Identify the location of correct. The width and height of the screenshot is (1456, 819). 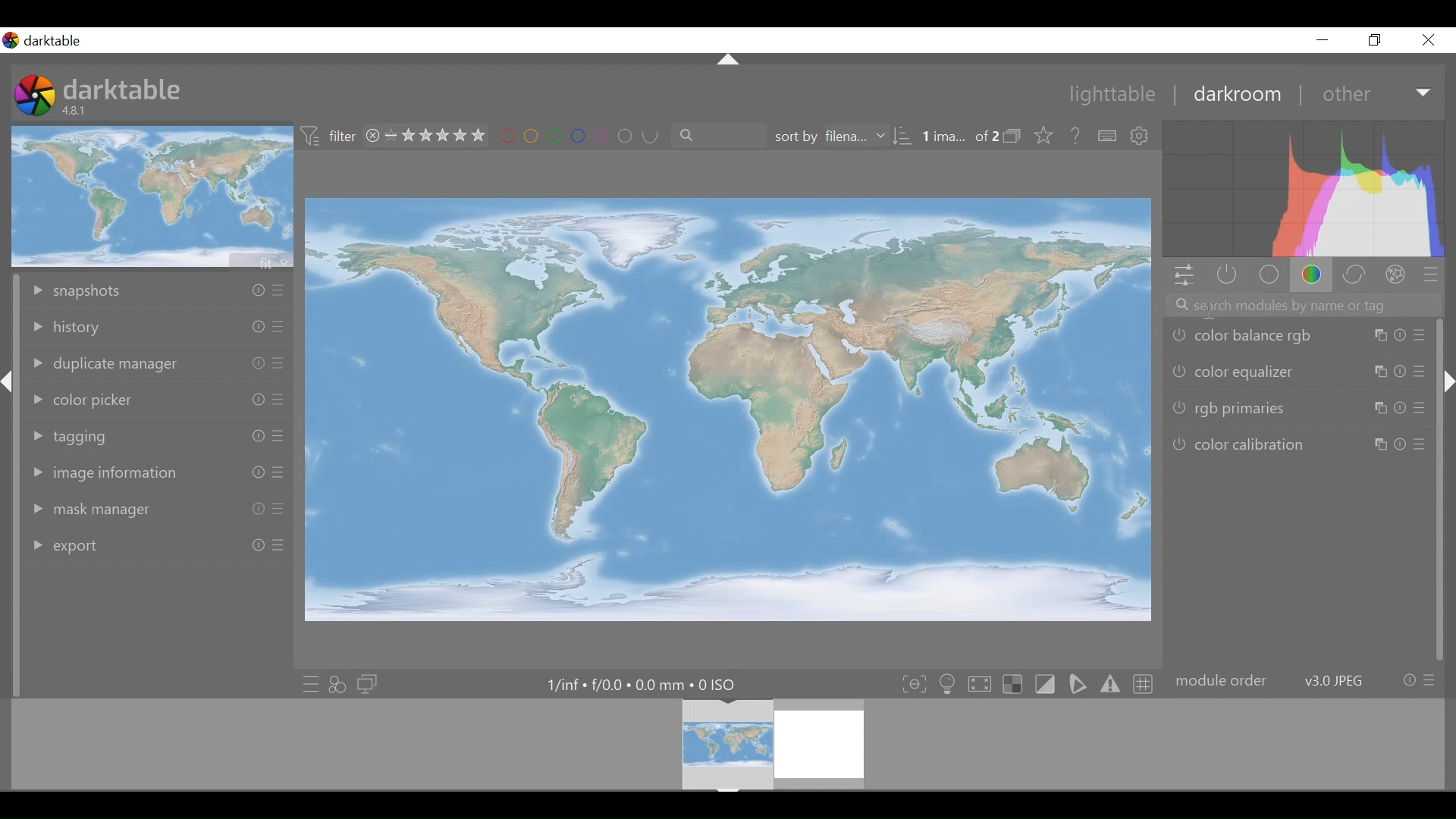
(1354, 274).